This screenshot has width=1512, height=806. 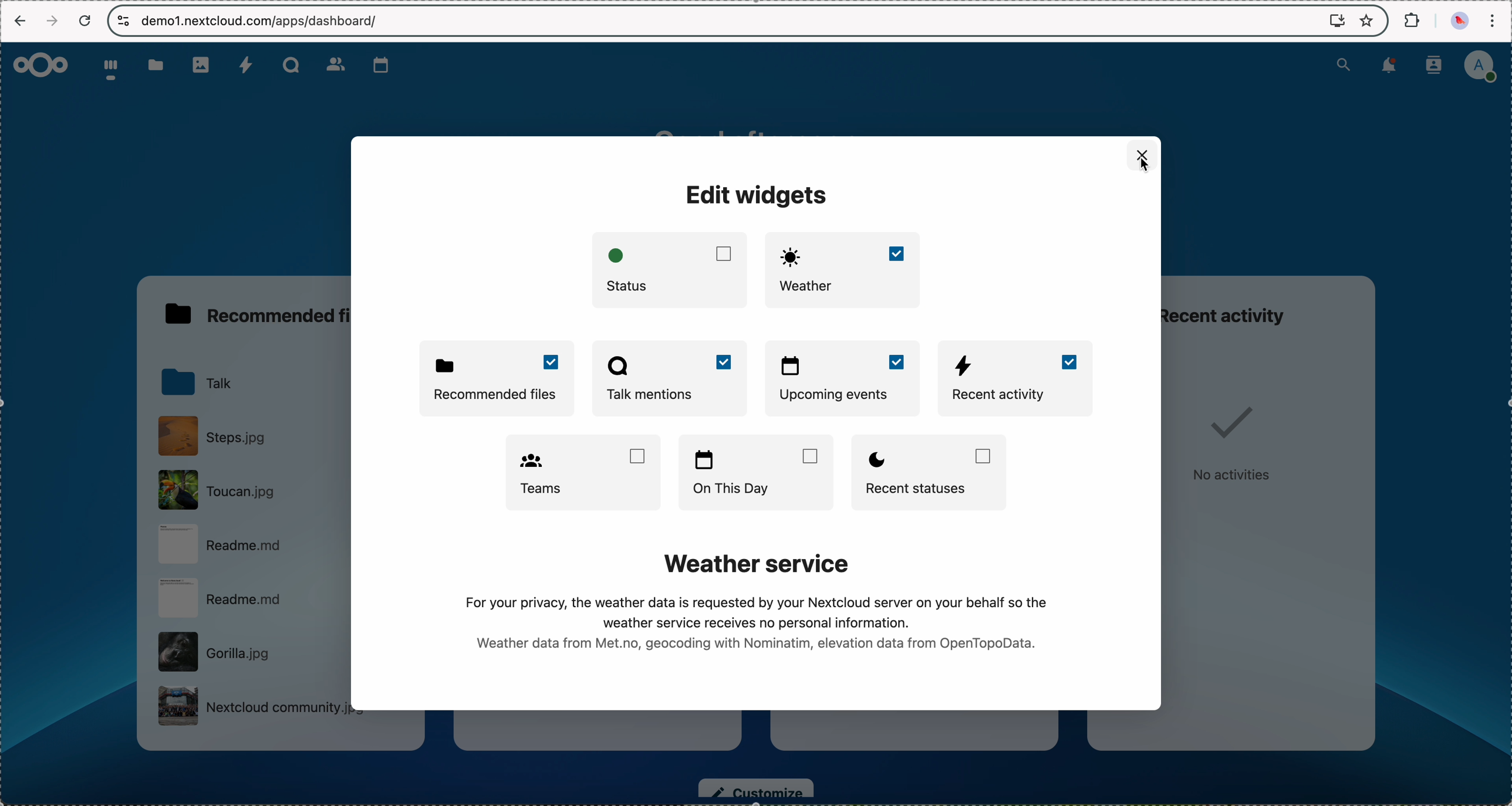 I want to click on edit widgets, so click(x=755, y=198).